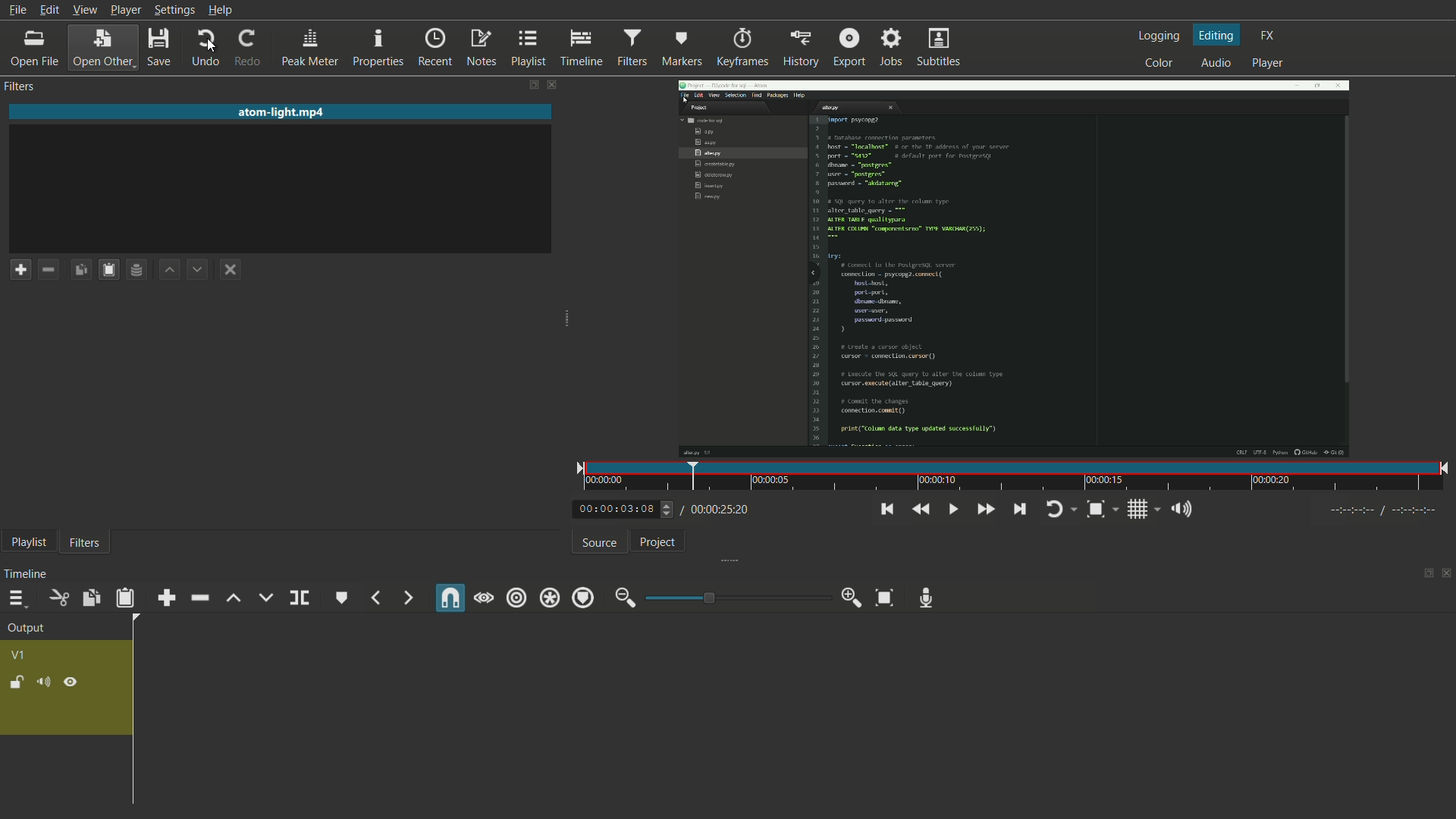  What do you see at coordinates (21, 9) in the screenshot?
I see `File` at bounding box center [21, 9].